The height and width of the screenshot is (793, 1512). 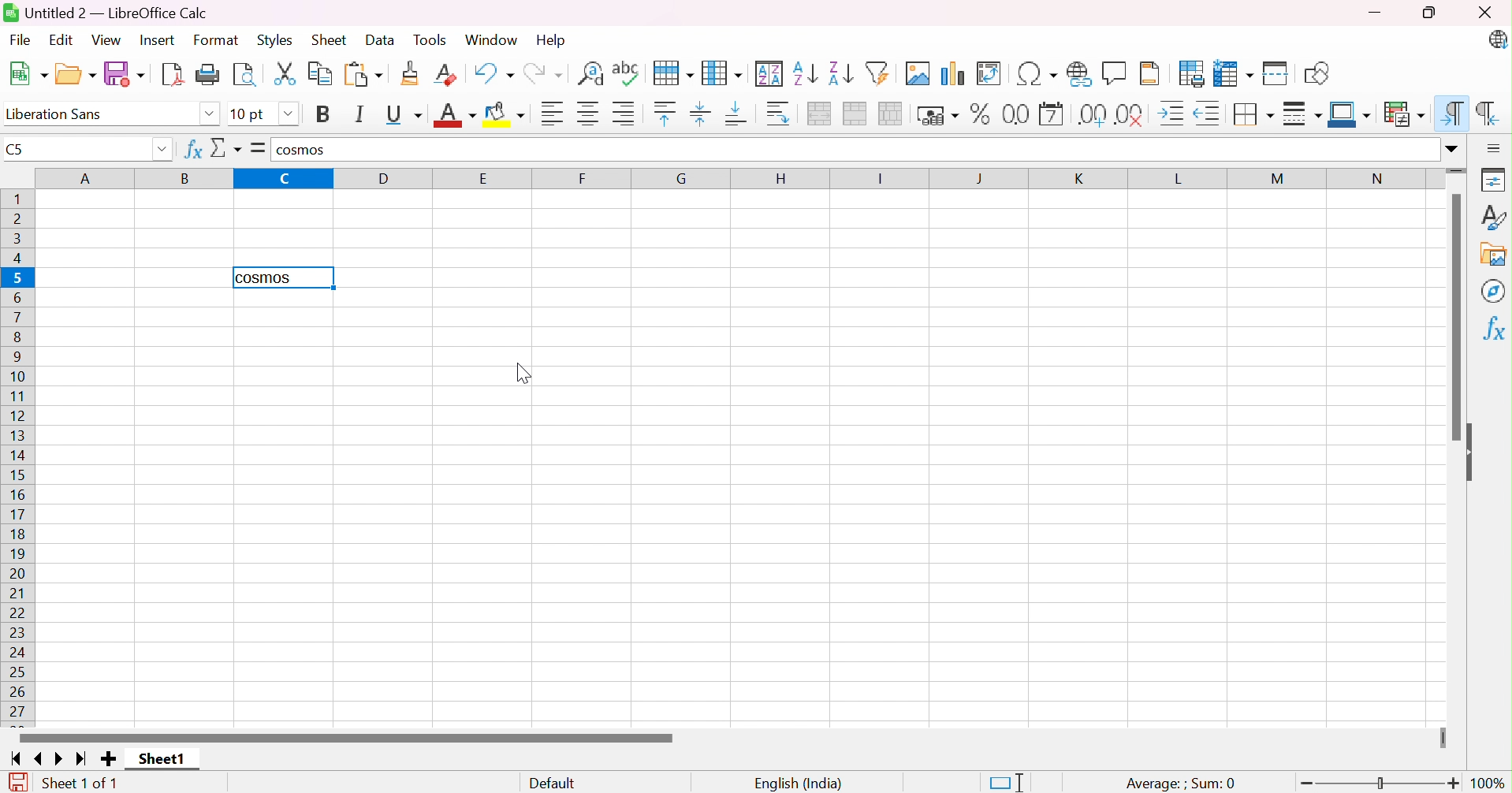 I want to click on Untitled 4 - LibreOffice Calc, so click(x=106, y=13).